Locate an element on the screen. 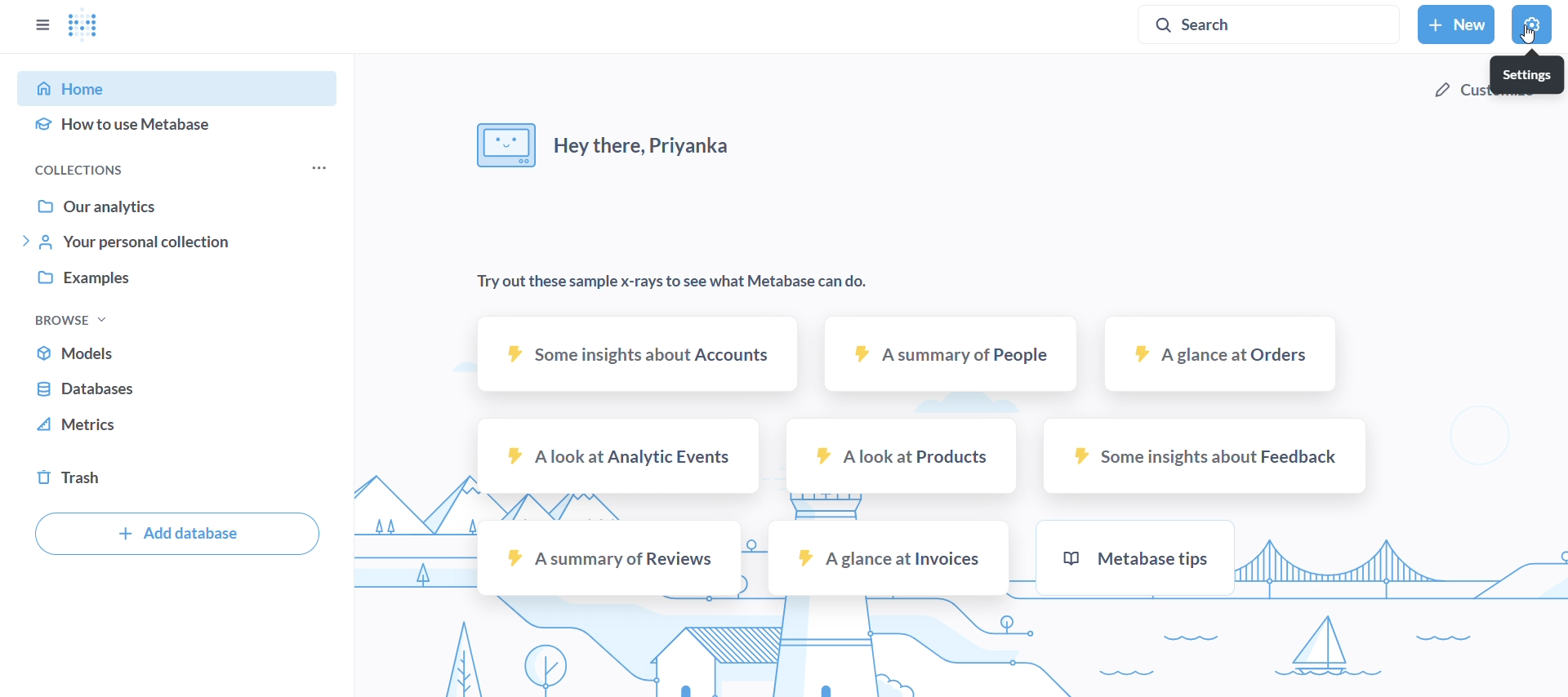  metabase tips is located at coordinates (1134, 558).